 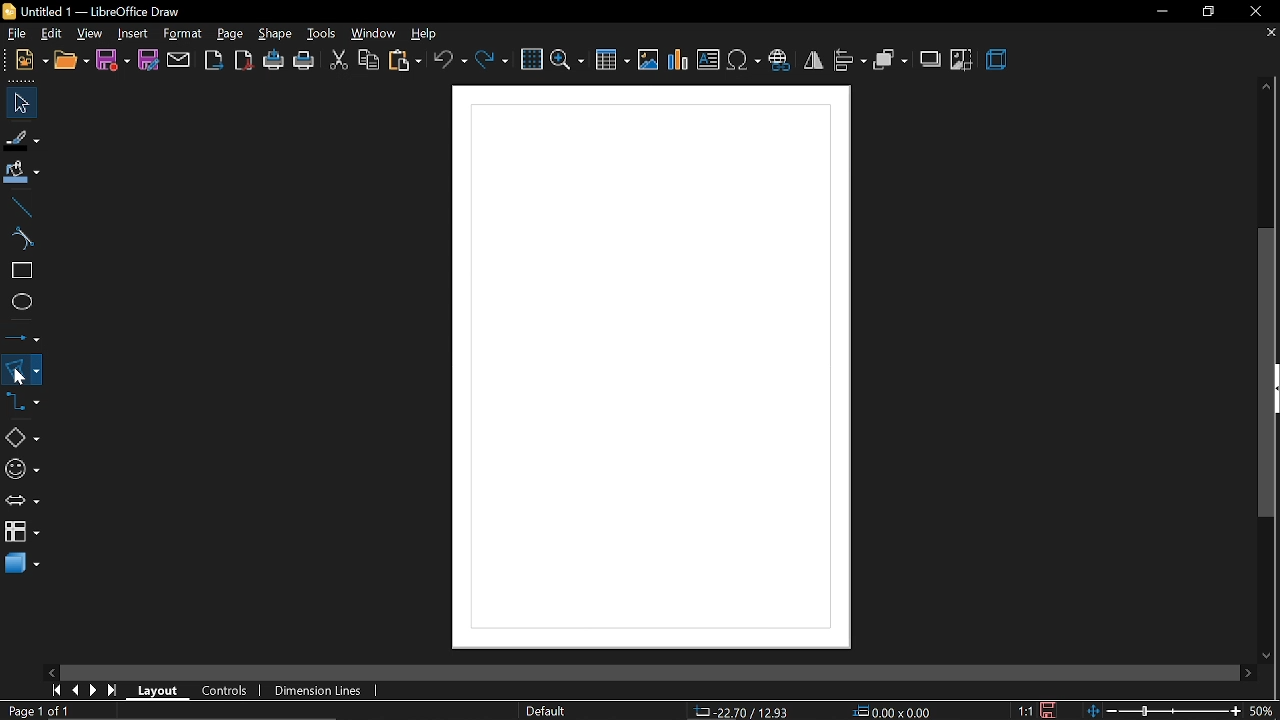 I want to click on save, so click(x=1054, y=708).